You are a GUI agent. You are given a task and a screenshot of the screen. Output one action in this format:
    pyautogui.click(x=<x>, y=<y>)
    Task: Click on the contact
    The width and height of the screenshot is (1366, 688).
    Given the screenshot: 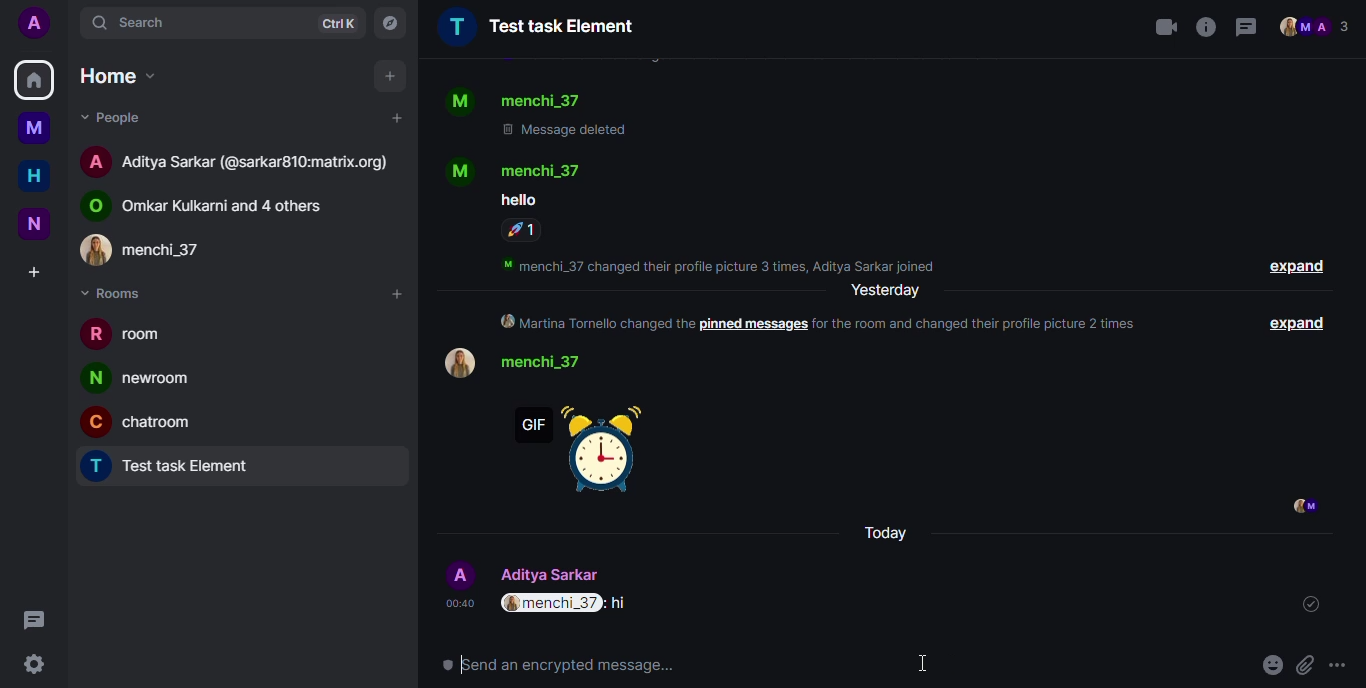 What is the action you would take?
    pyautogui.click(x=159, y=248)
    